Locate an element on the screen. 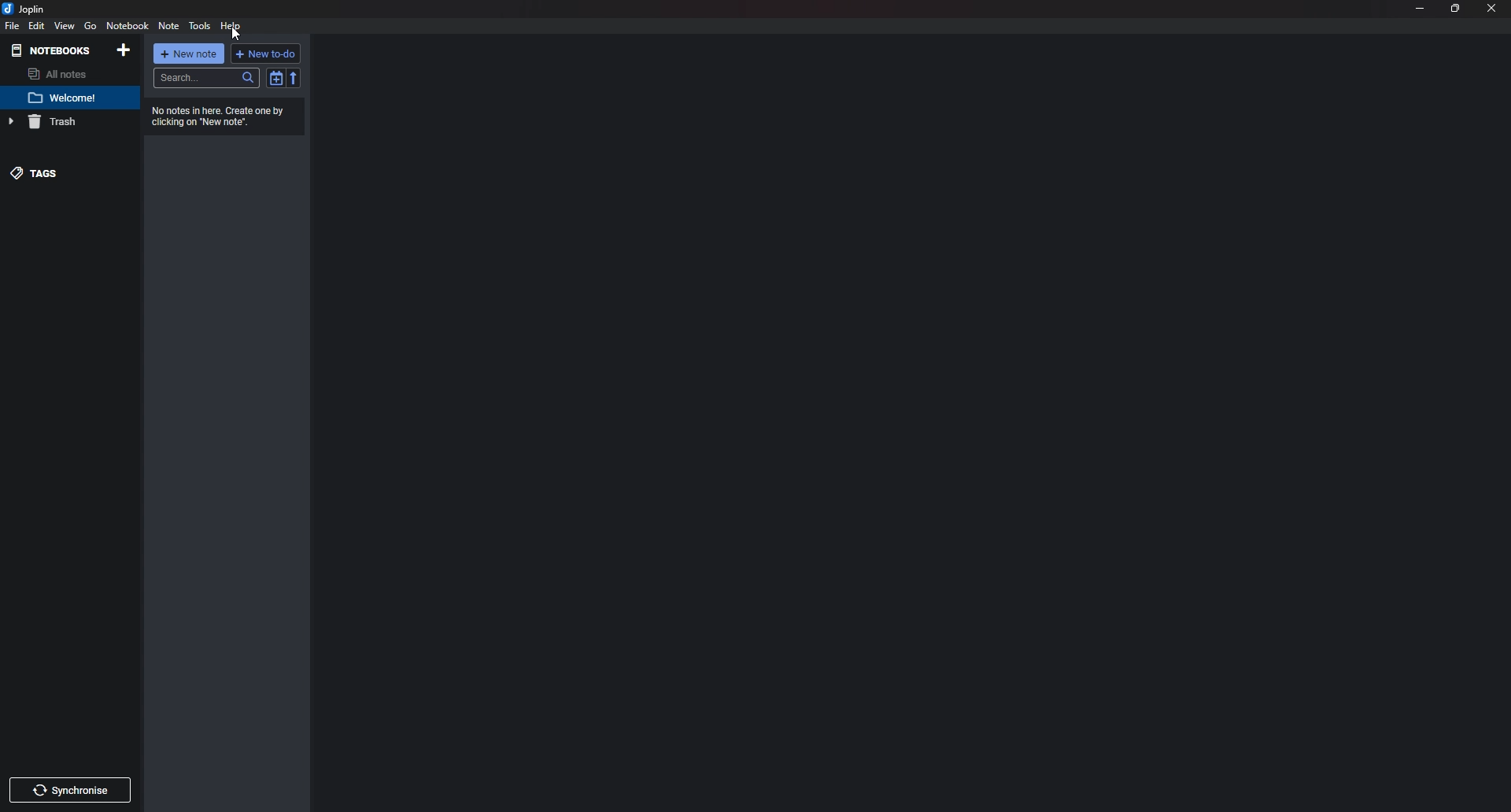  Reverse sort order is located at coordinates (294, 79).